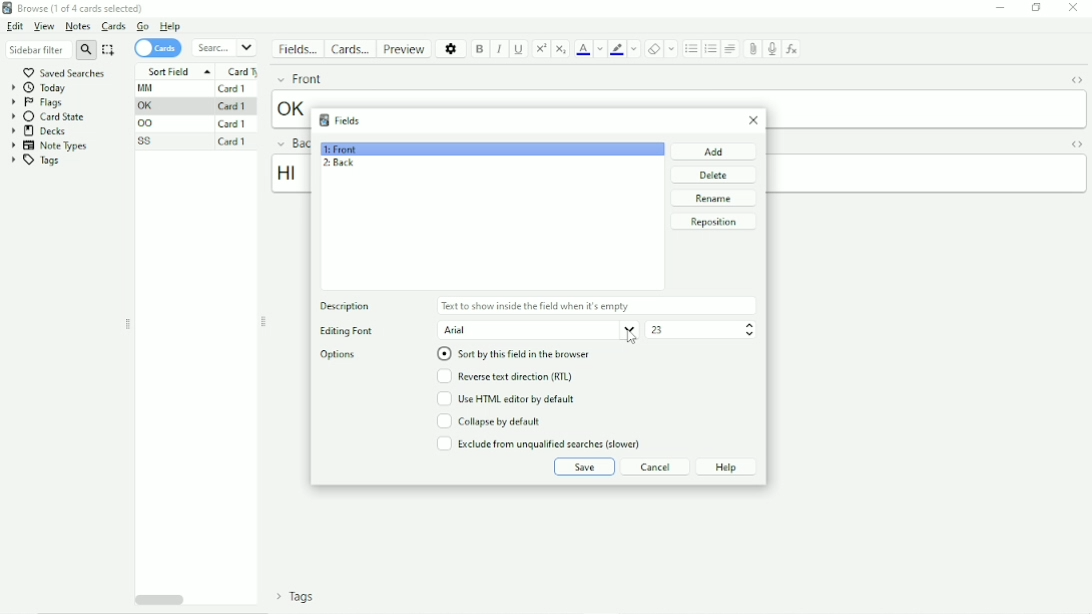 The height and width of the screenshot is (614, 1092). I want to click on Front, so click(297, 79).